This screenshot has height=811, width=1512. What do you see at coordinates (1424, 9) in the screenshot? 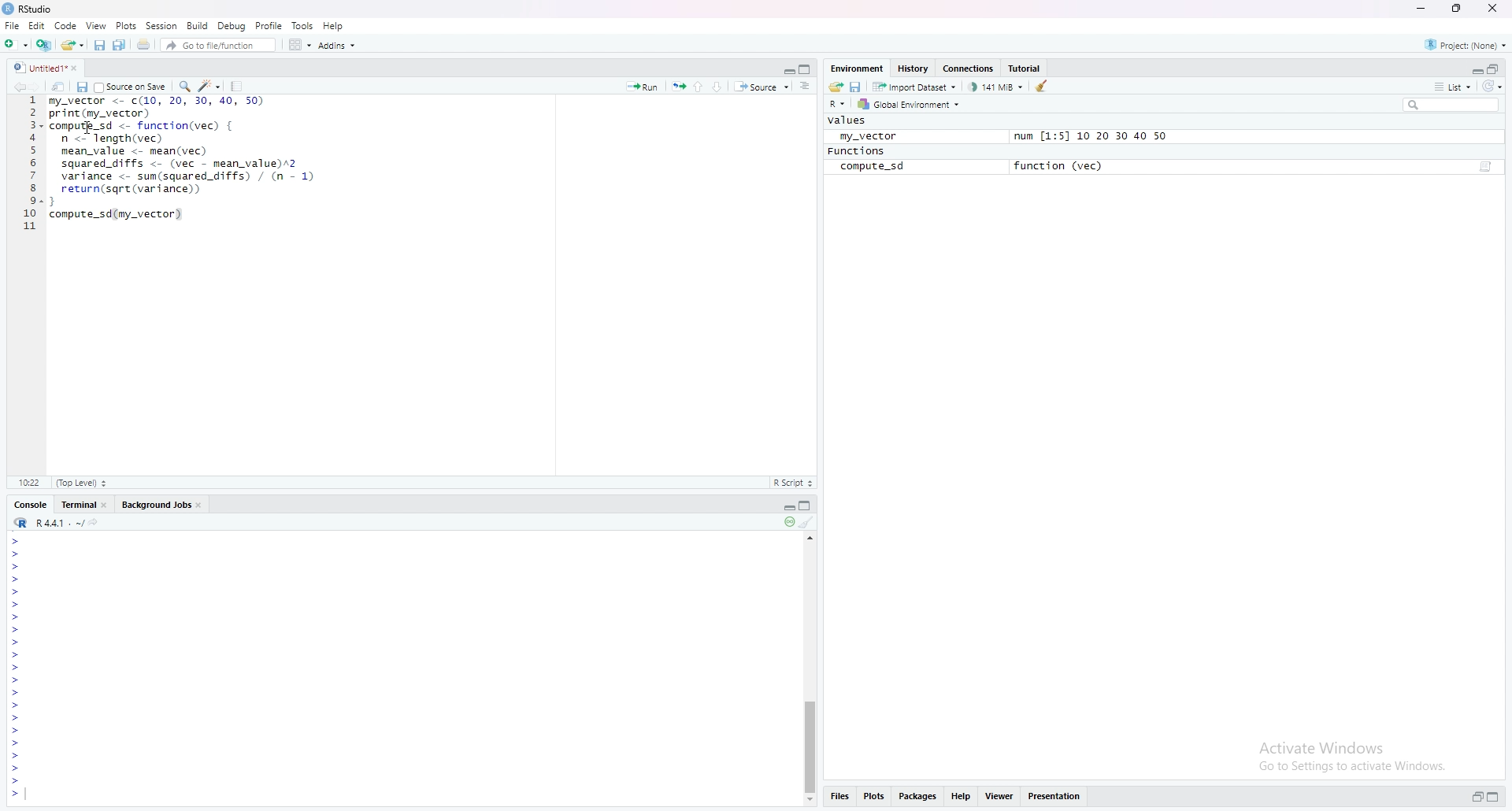
I see `Minimize` at bounding box center [1424, 9].